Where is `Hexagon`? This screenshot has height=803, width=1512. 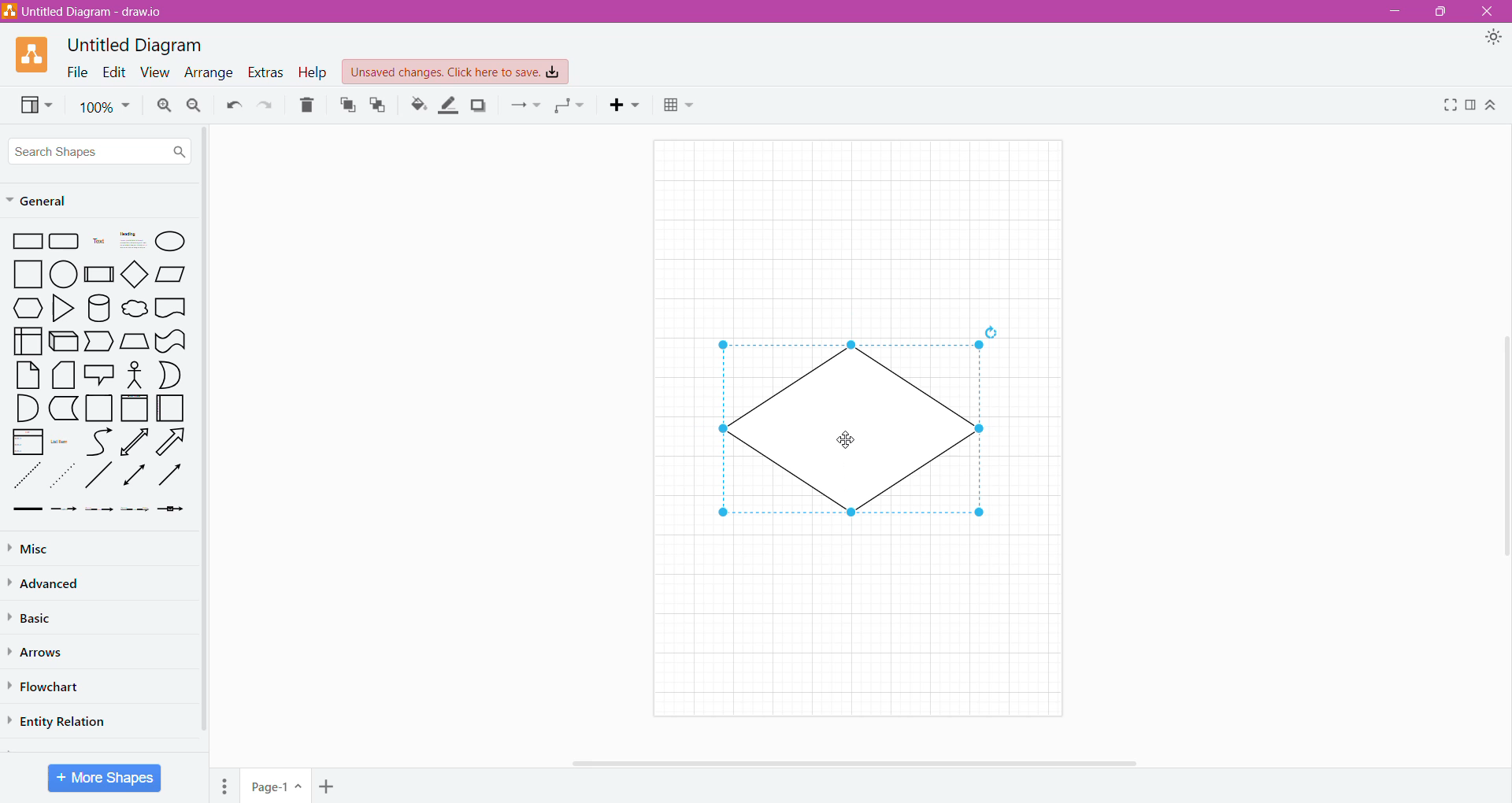 Hexagon is located at coordinates (28, 308).